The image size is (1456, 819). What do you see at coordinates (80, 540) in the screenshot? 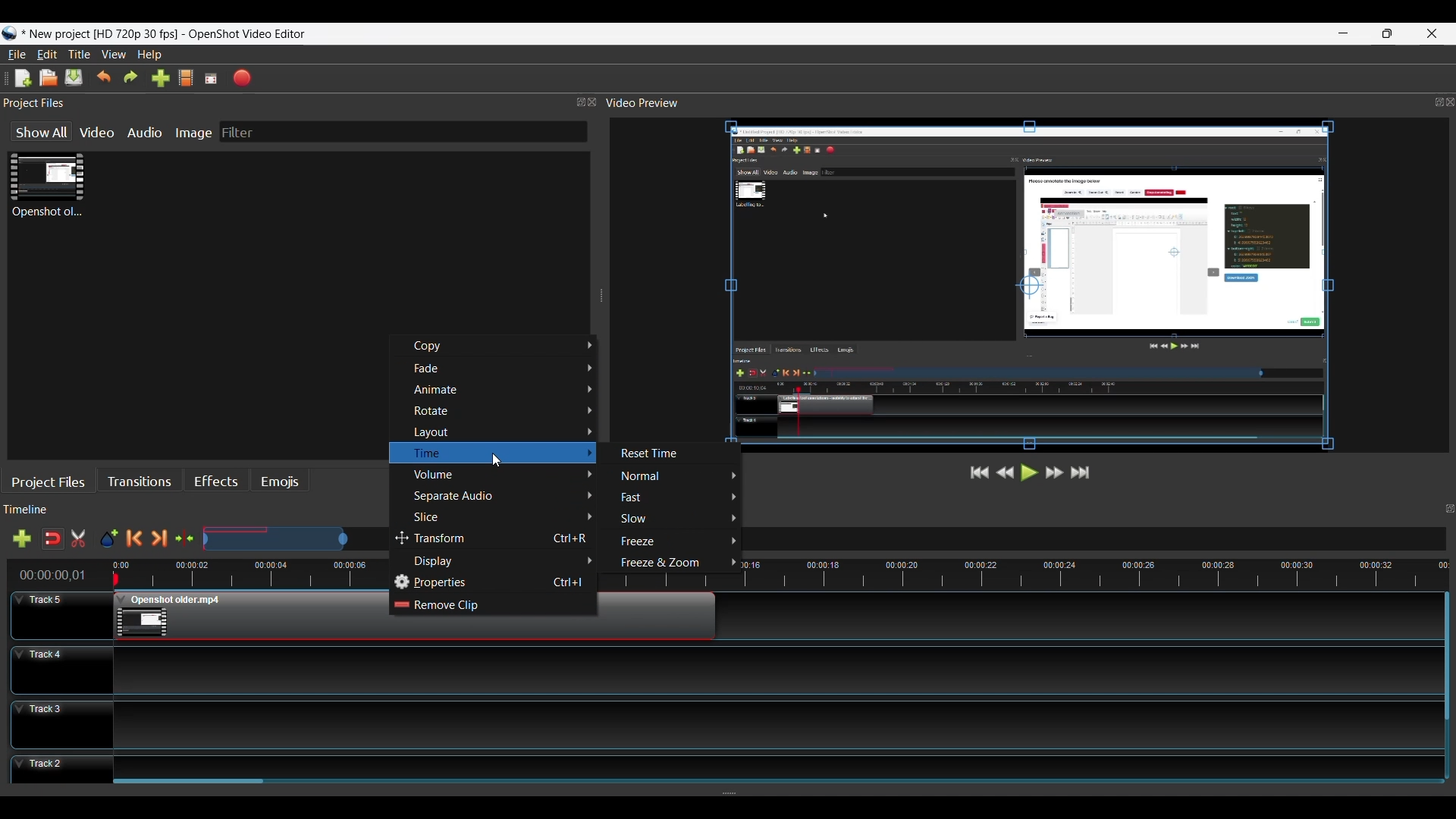
I see `Razor` at bounding box center [80, 540].